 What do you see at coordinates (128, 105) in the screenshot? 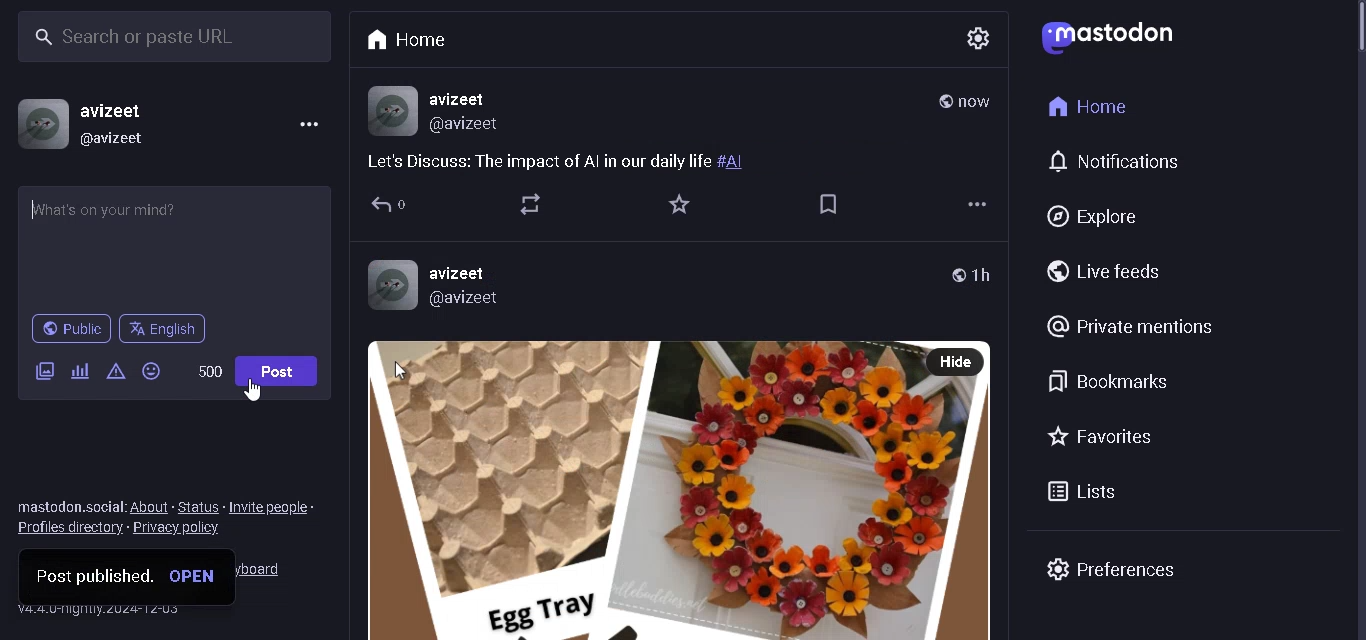
I see `USERNAME` at bounding box center [128, 105].